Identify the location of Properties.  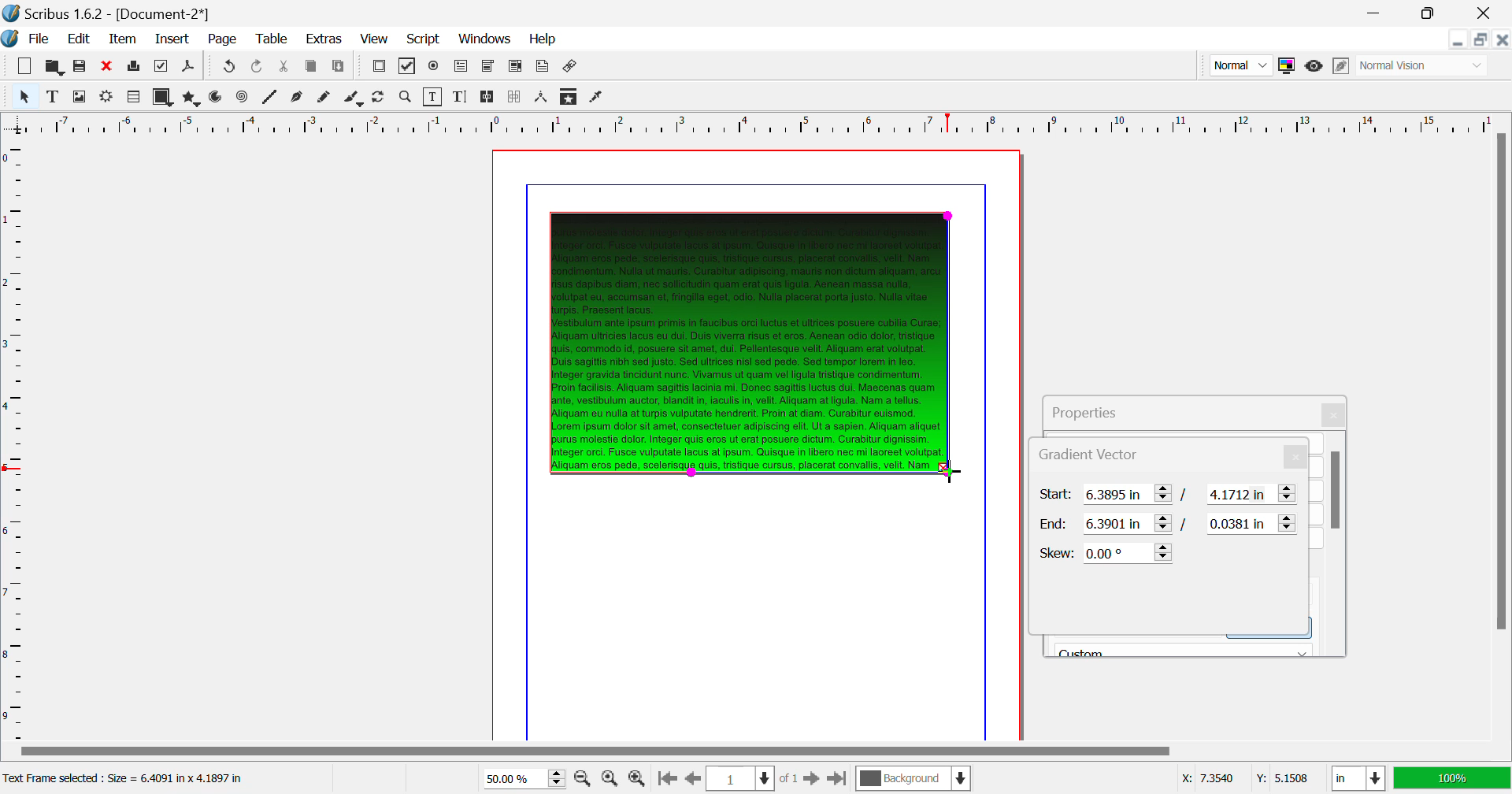
(1102, 410).